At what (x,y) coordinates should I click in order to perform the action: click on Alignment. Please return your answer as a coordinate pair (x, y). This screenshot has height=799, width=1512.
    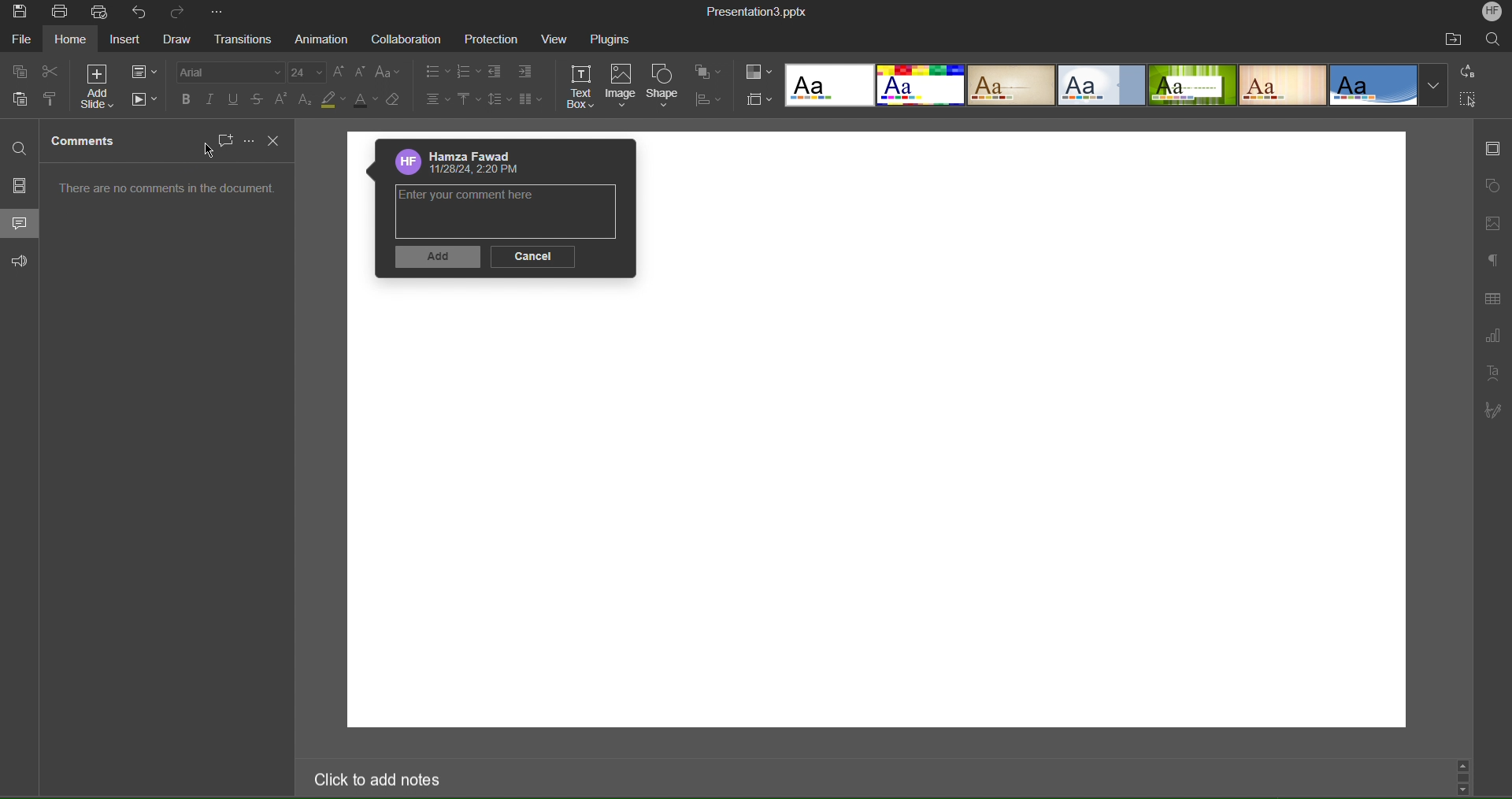
    Looking at the image, I should click on (438, 101).